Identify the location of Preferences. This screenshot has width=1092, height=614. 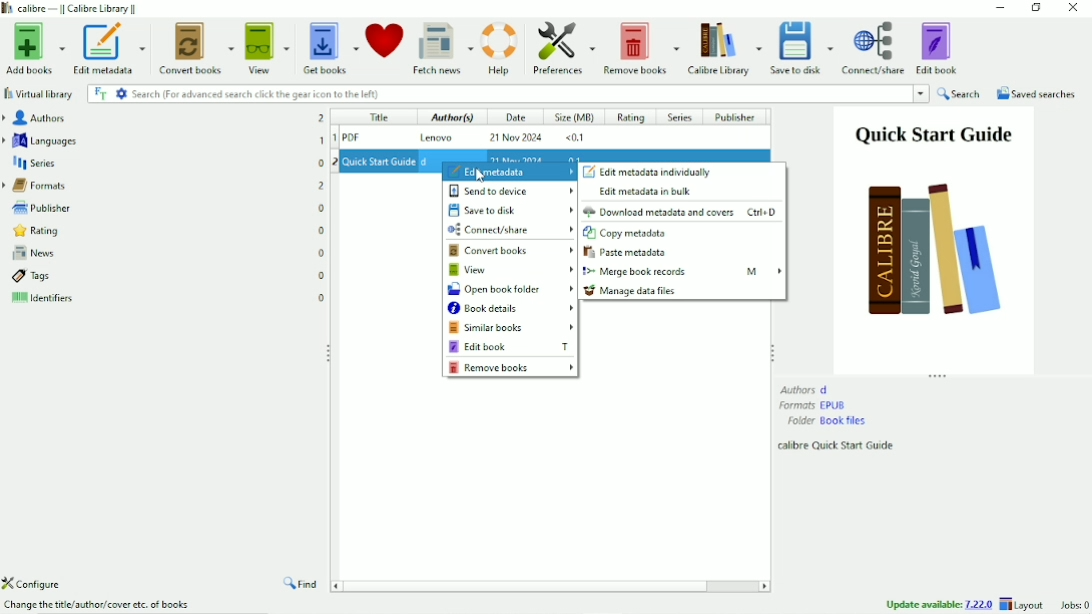
(563, 48).